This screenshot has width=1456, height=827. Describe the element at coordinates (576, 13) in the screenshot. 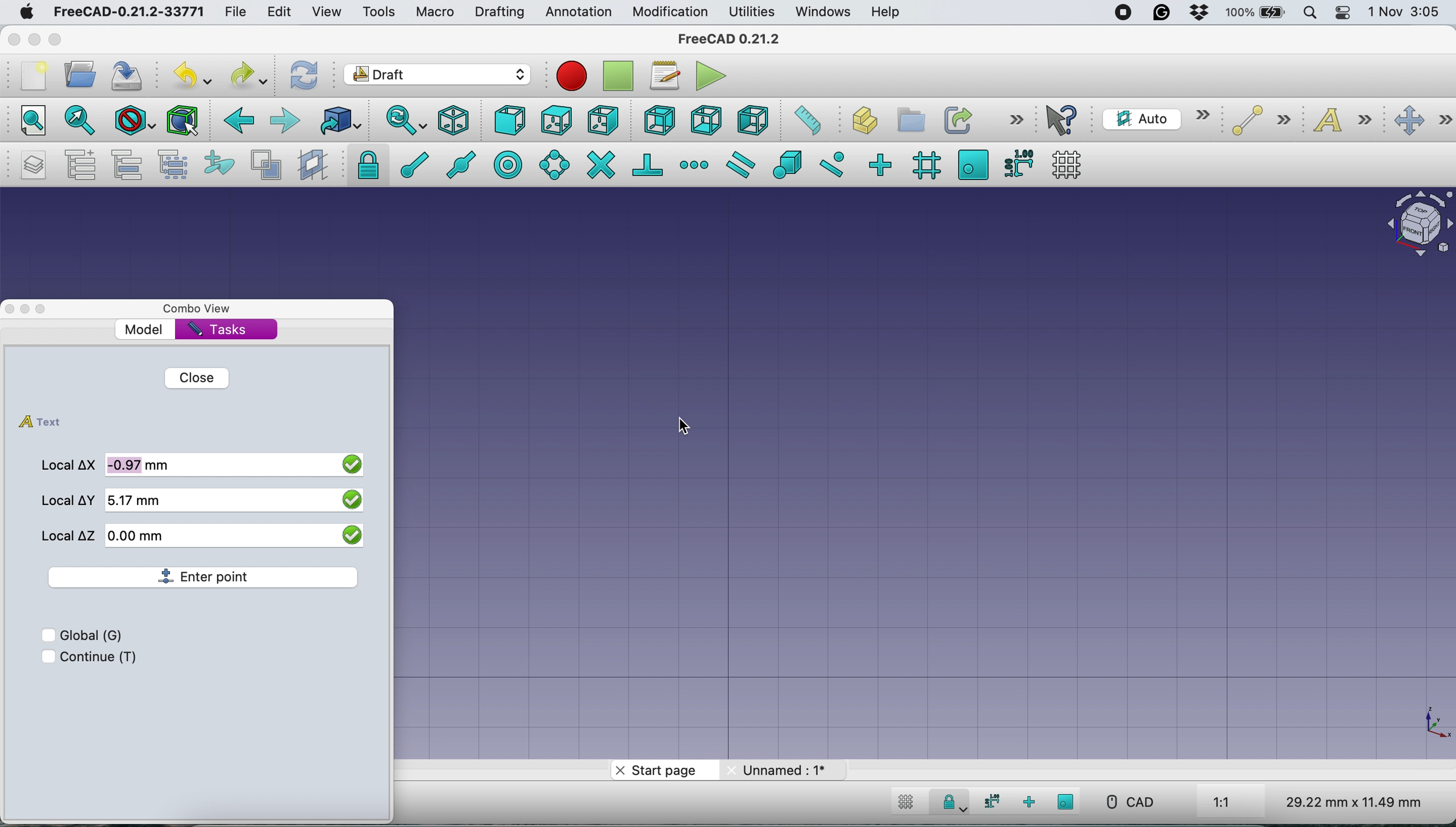

I see `annotation` at that location.